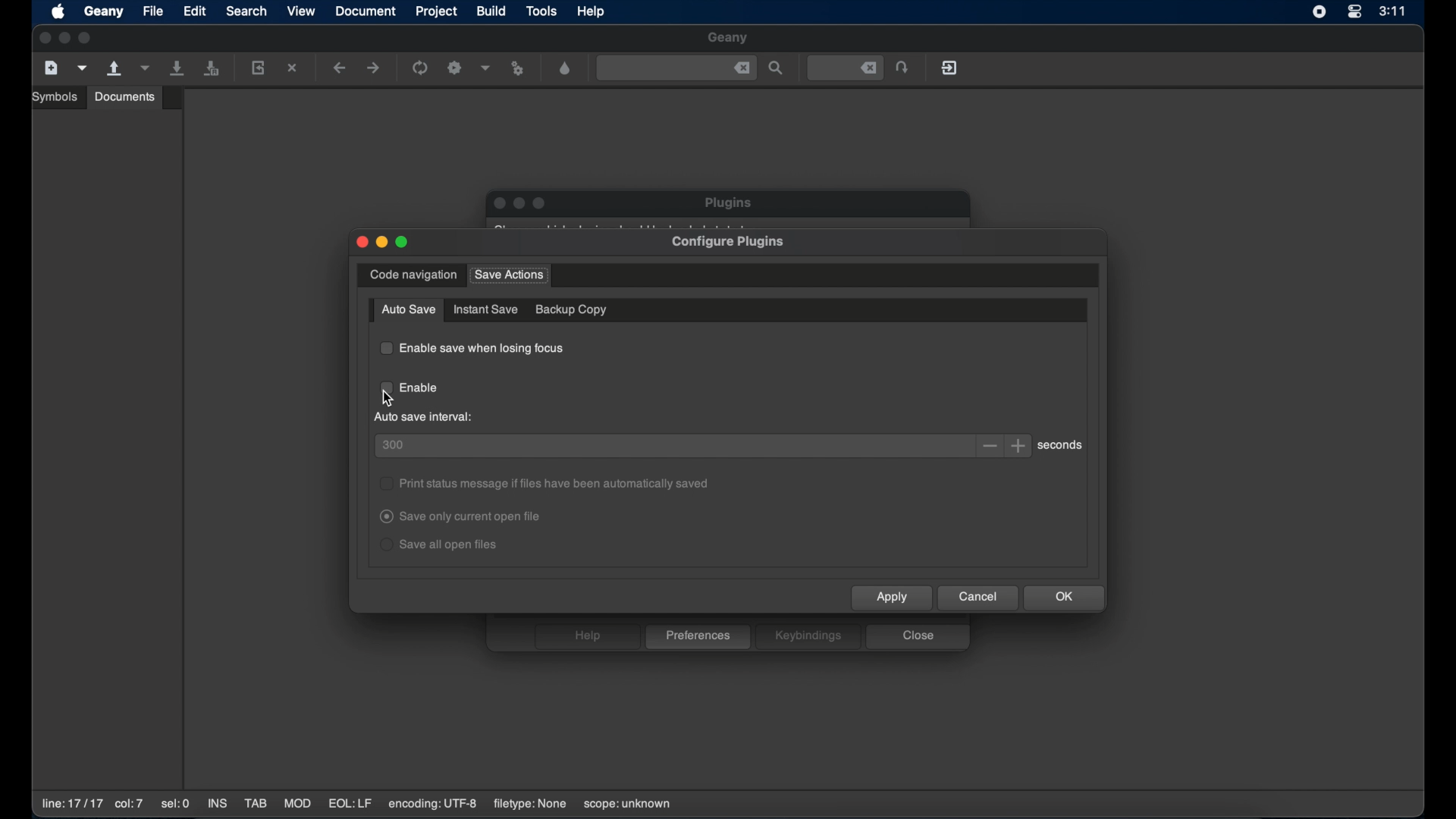  Describe the element at coordinates (1063, 445) in the screenshot. I see `seconds` at that location.